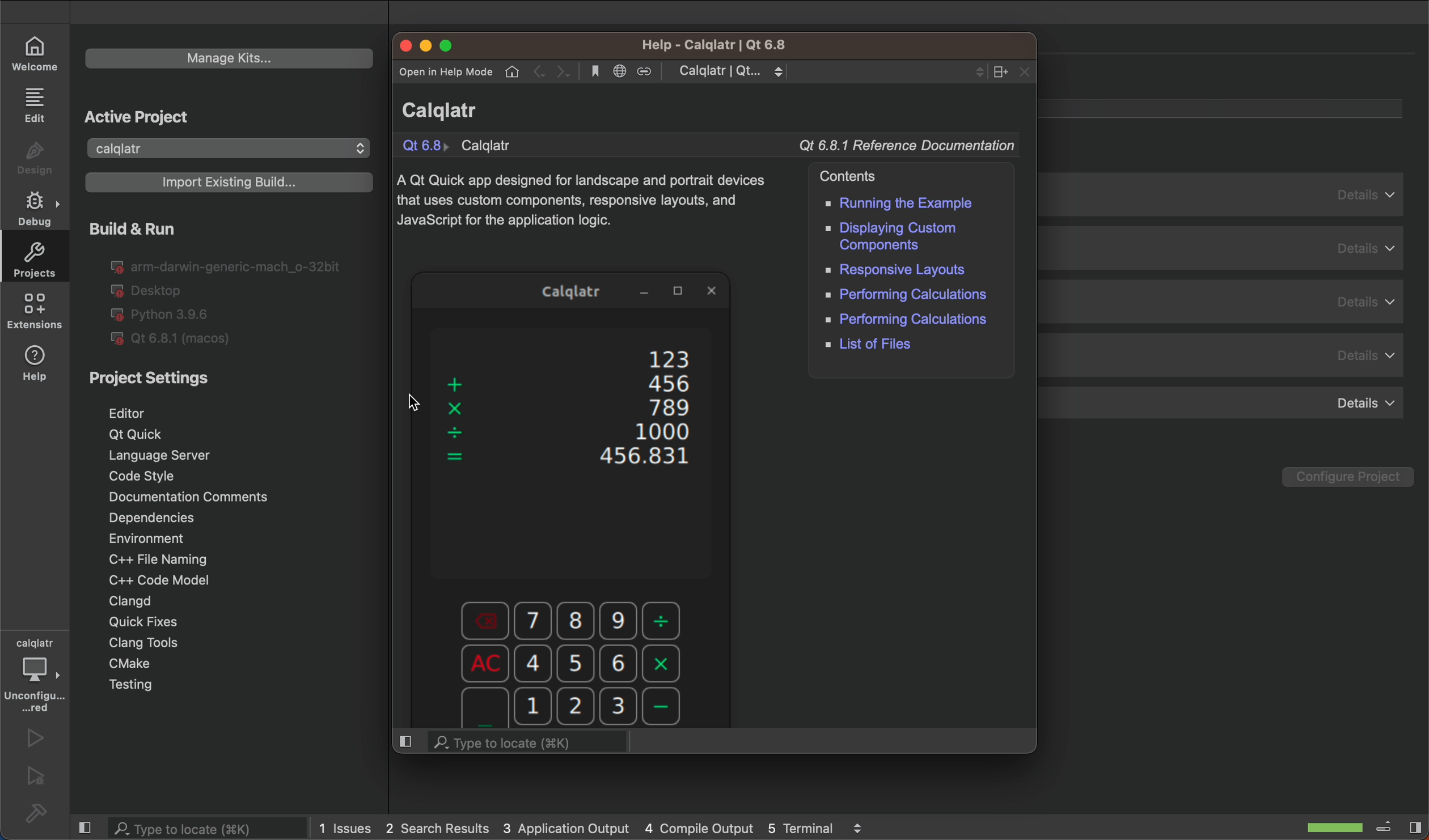  I want to click on application preview, so click(573, 517).